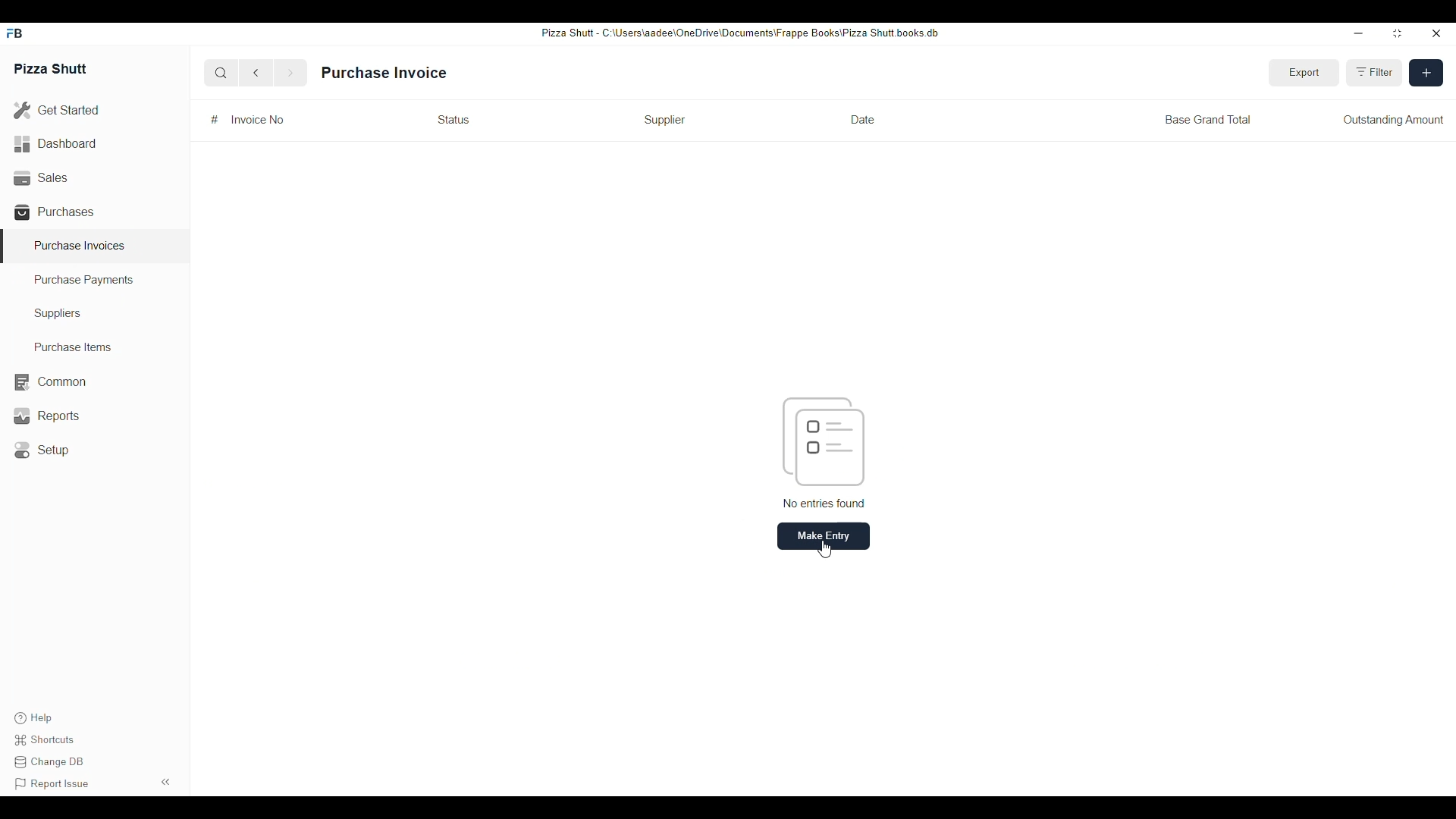 Image resolution: width=1456 pixels, height=819 pixels. I want to click on Date, so click(862, 121).